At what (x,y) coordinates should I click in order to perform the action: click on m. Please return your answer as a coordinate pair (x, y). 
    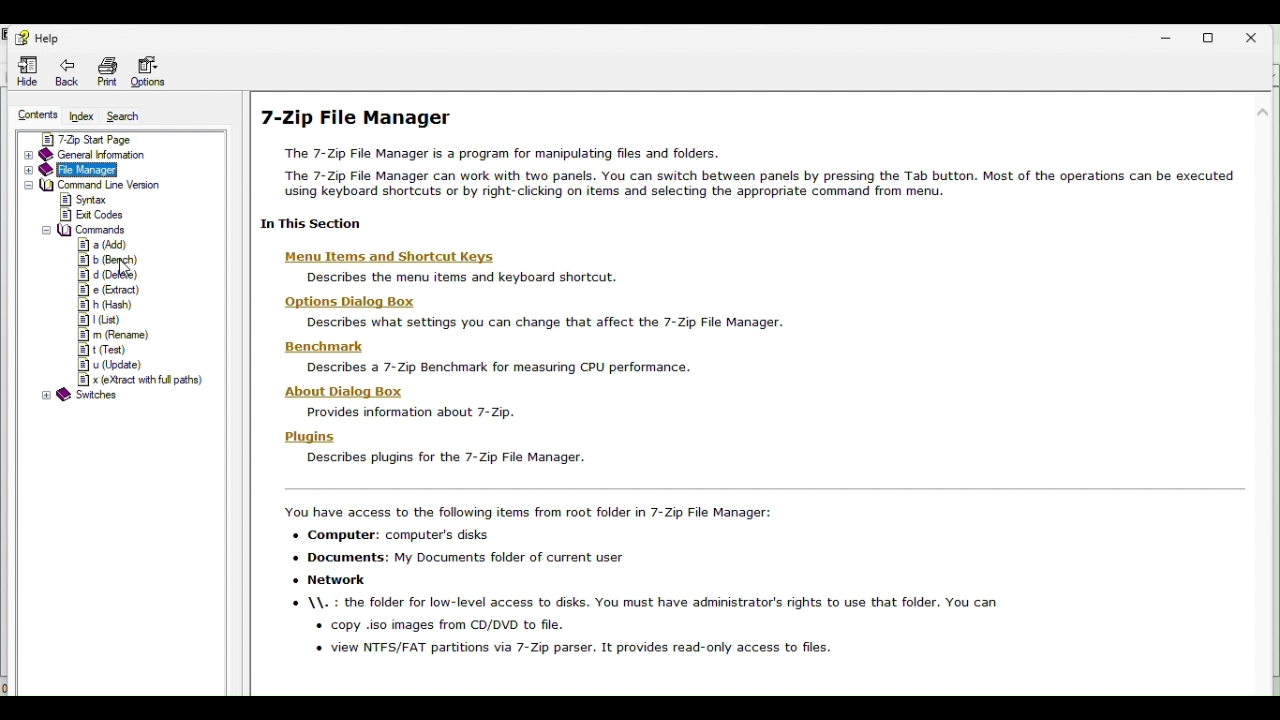
    Looking at the image, I should click on (117, 336).